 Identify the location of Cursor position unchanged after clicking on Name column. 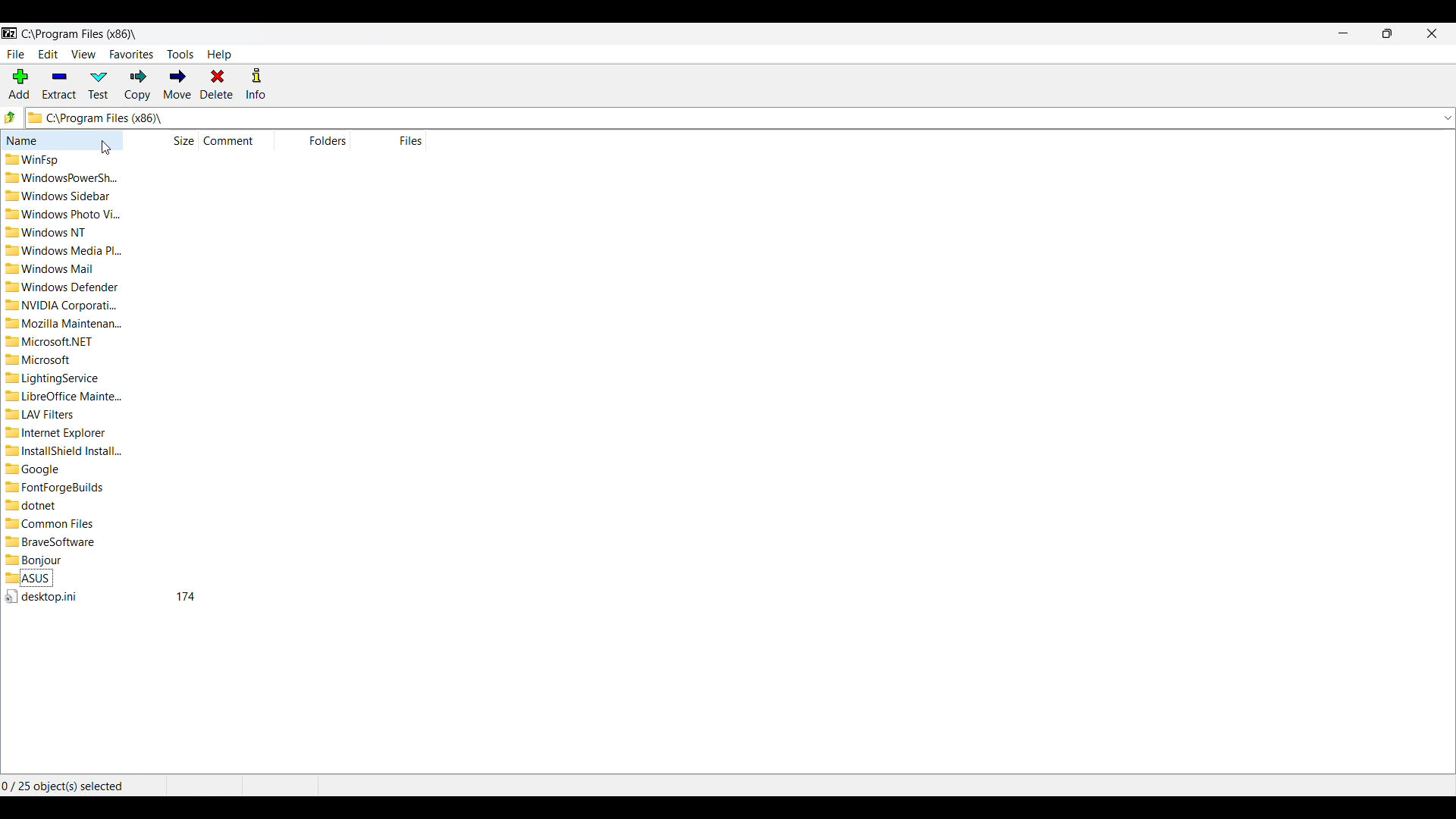
(106, 148).